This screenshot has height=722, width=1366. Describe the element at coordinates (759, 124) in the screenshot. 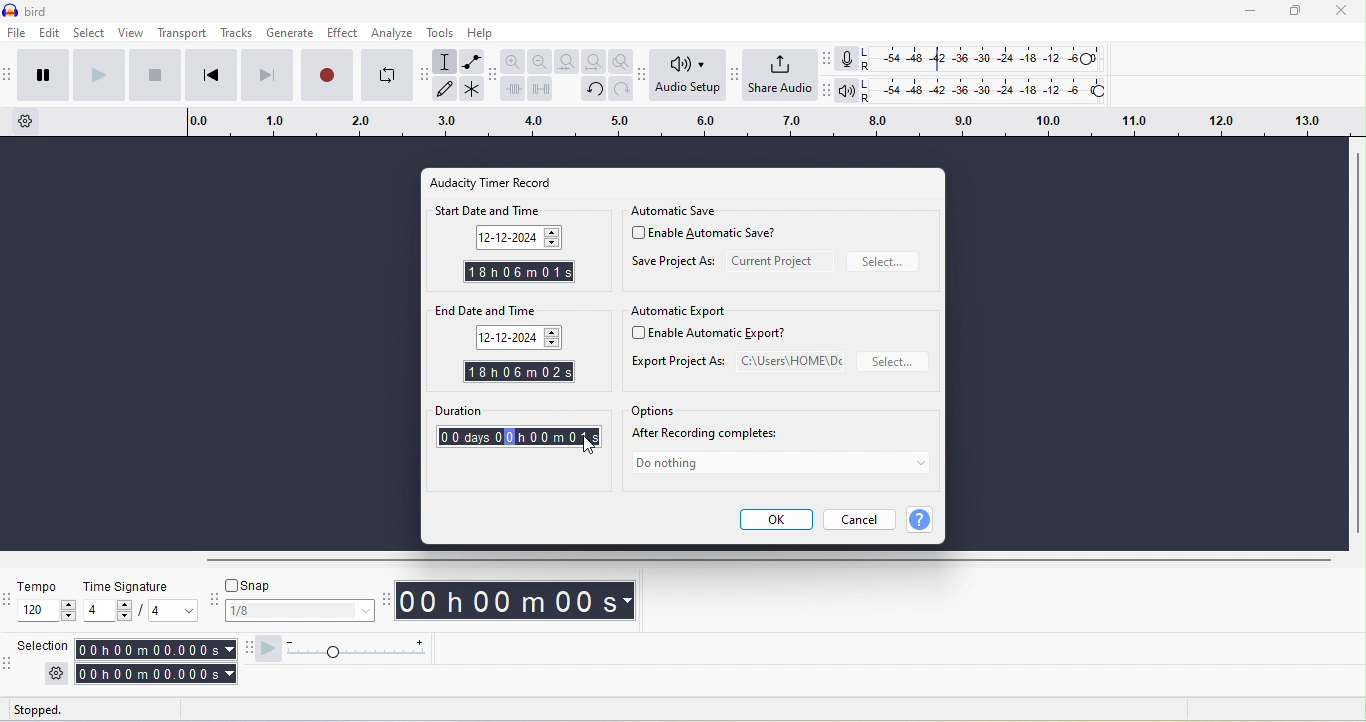

I see `click and drag to define a looping region` at that location.